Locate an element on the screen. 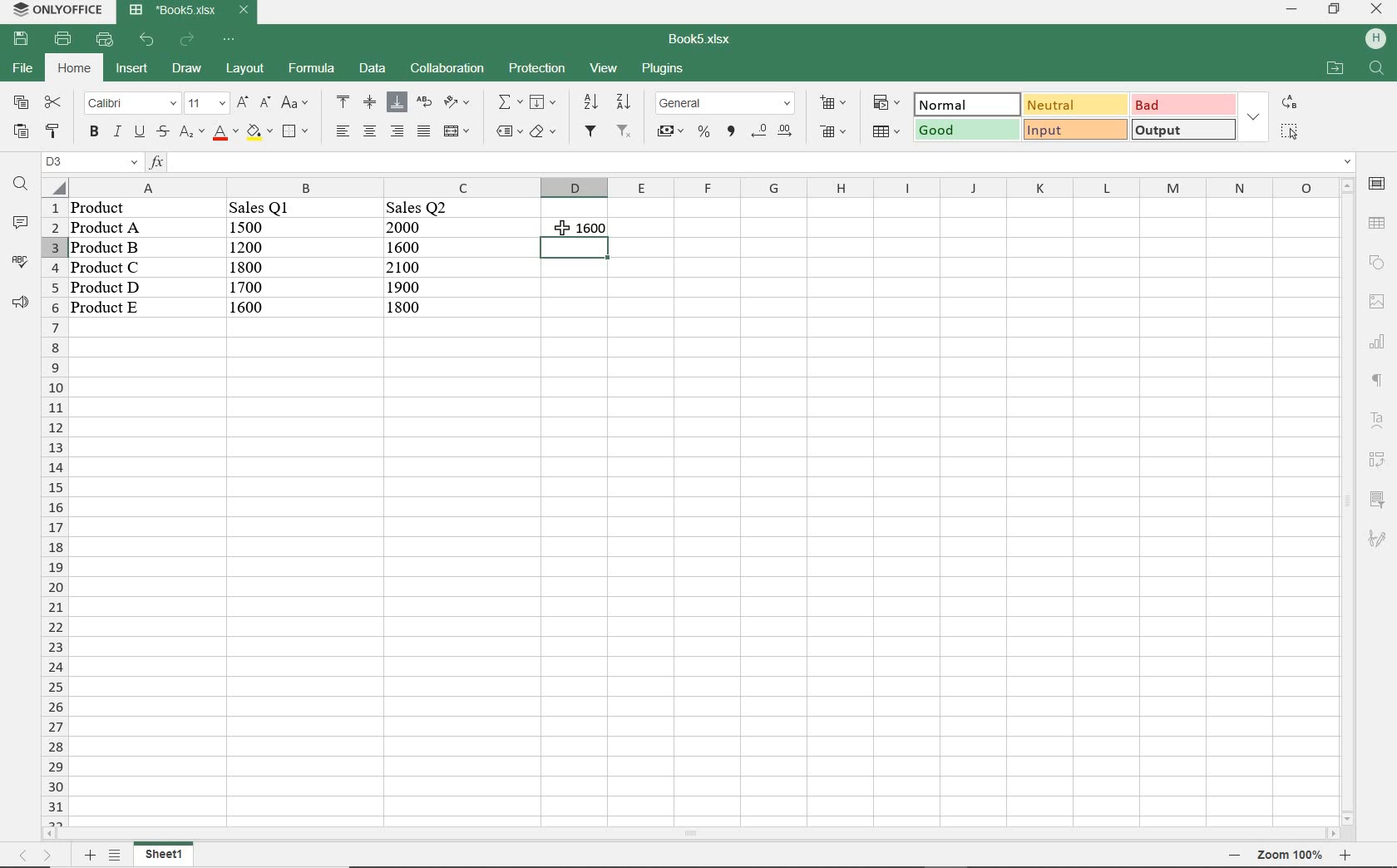 This screenshot has width=1397, height=868. change case is located at coordinates (297, 103).